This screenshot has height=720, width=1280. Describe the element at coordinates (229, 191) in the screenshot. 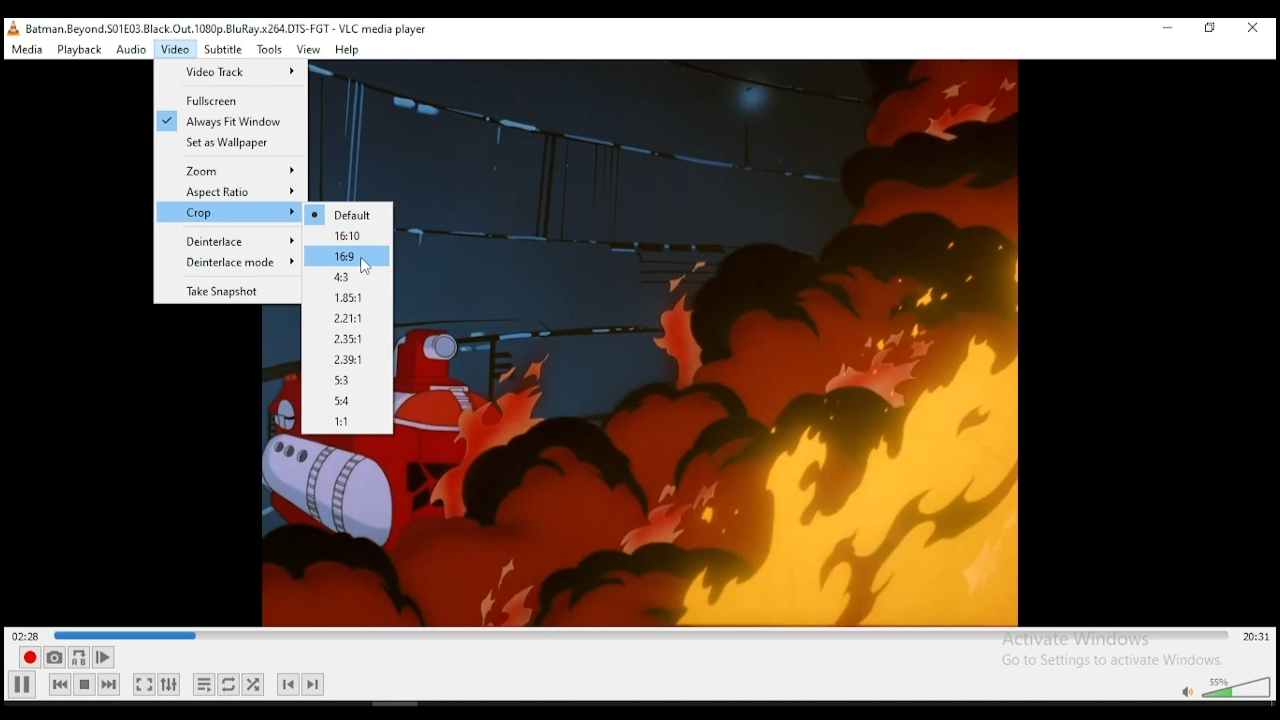

I see `Aspect ratio` at that location.